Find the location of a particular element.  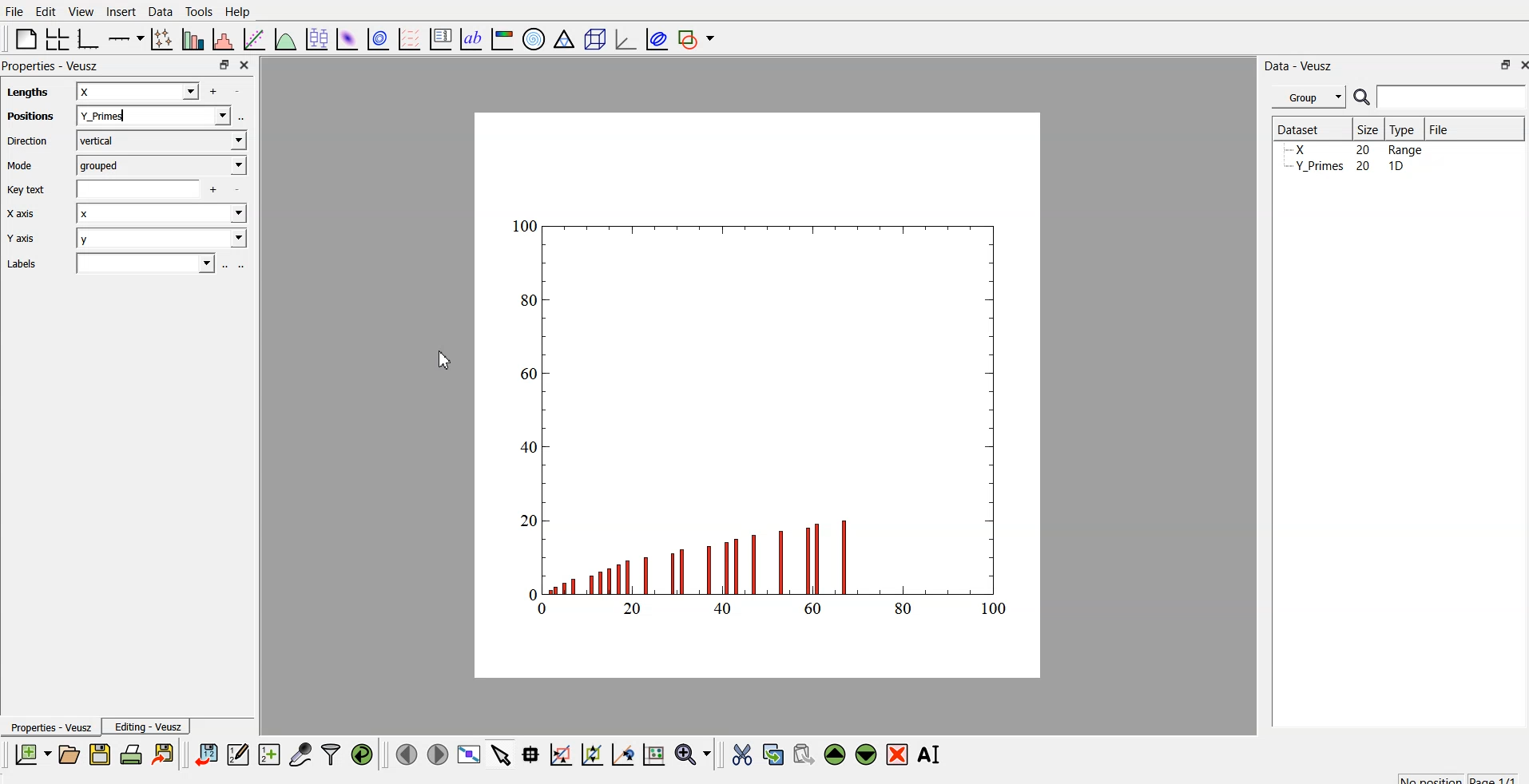

Insert is located at coordinates (121, 11).